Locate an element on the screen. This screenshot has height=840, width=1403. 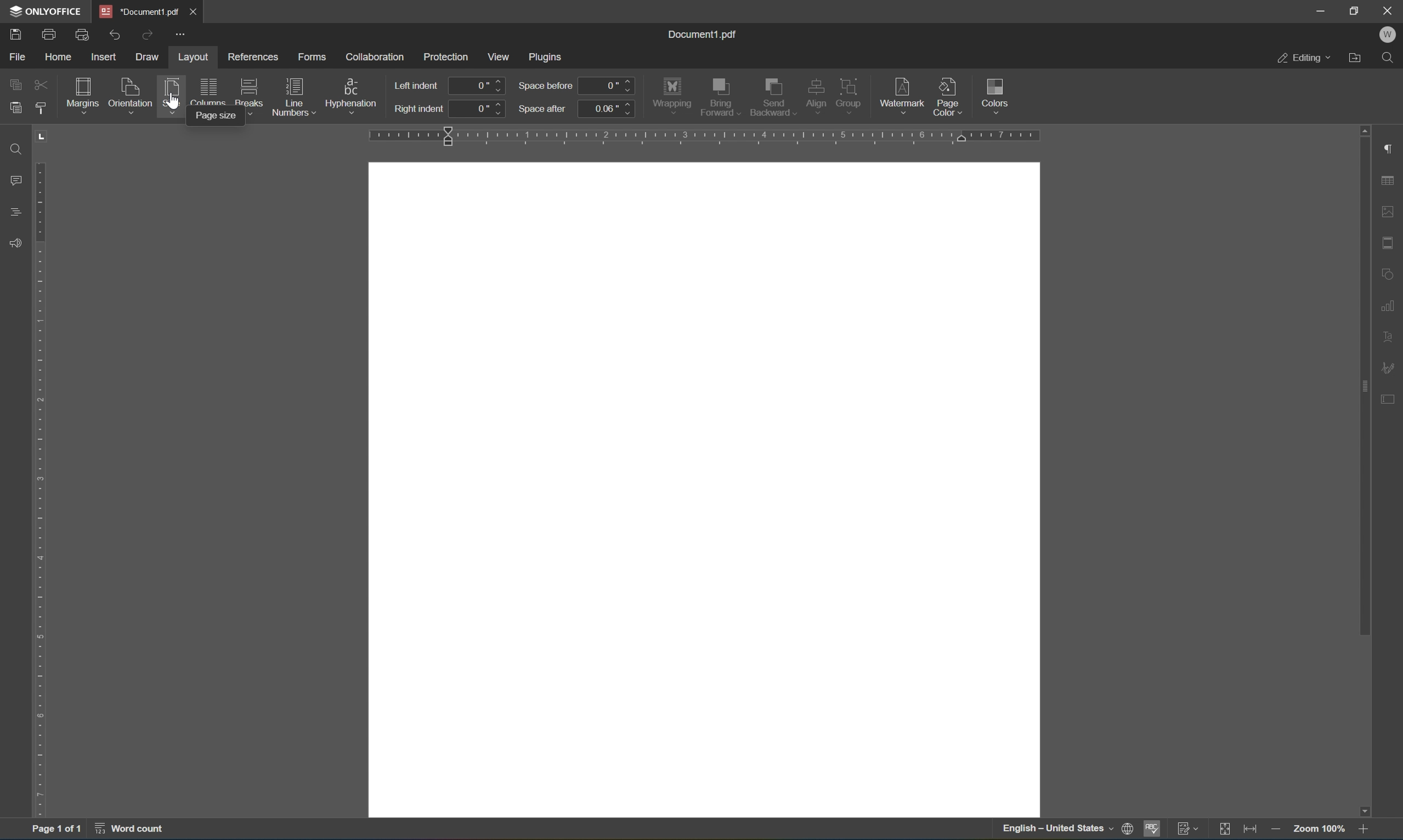
redo is located at coordinates (150, 33).